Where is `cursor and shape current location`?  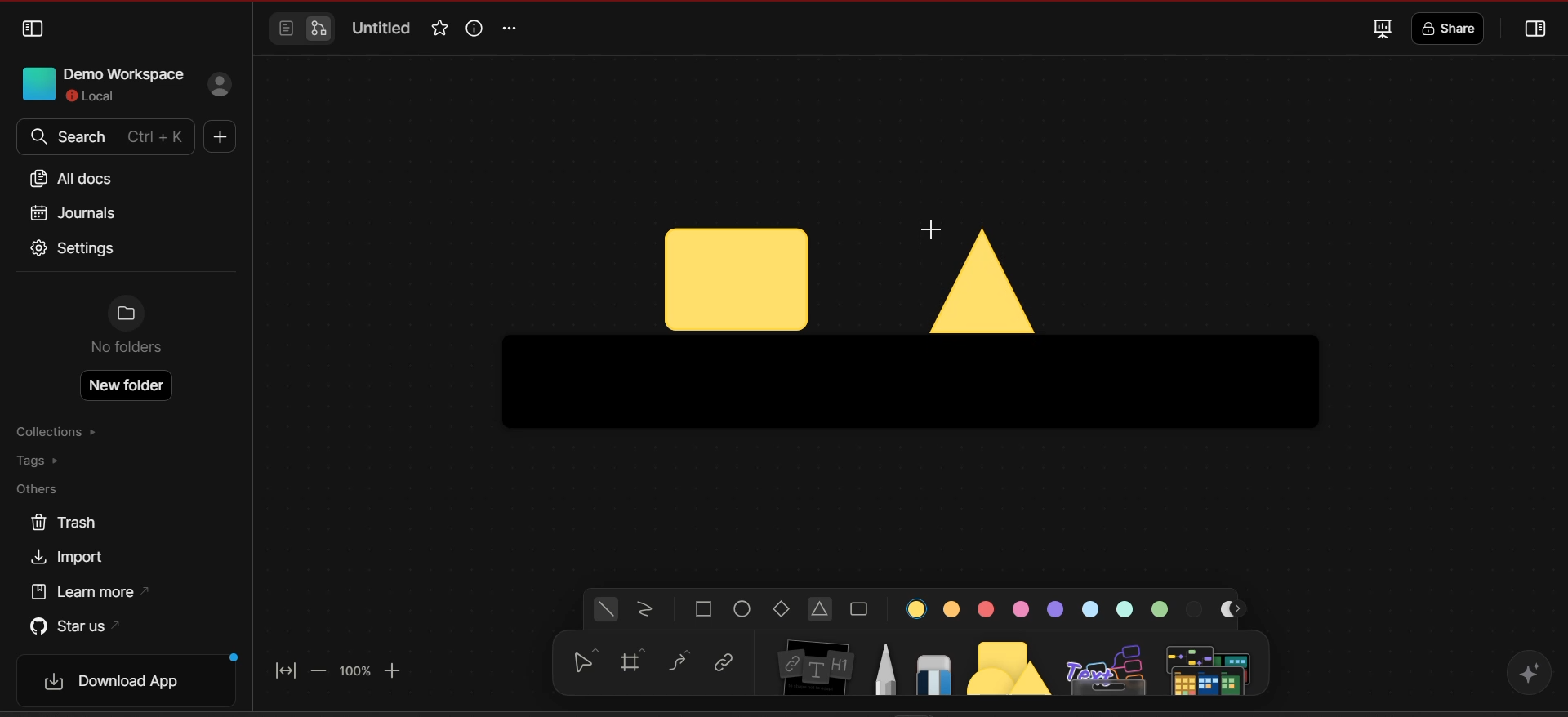 cursor and shape current location is located at coordinates (736, 280).